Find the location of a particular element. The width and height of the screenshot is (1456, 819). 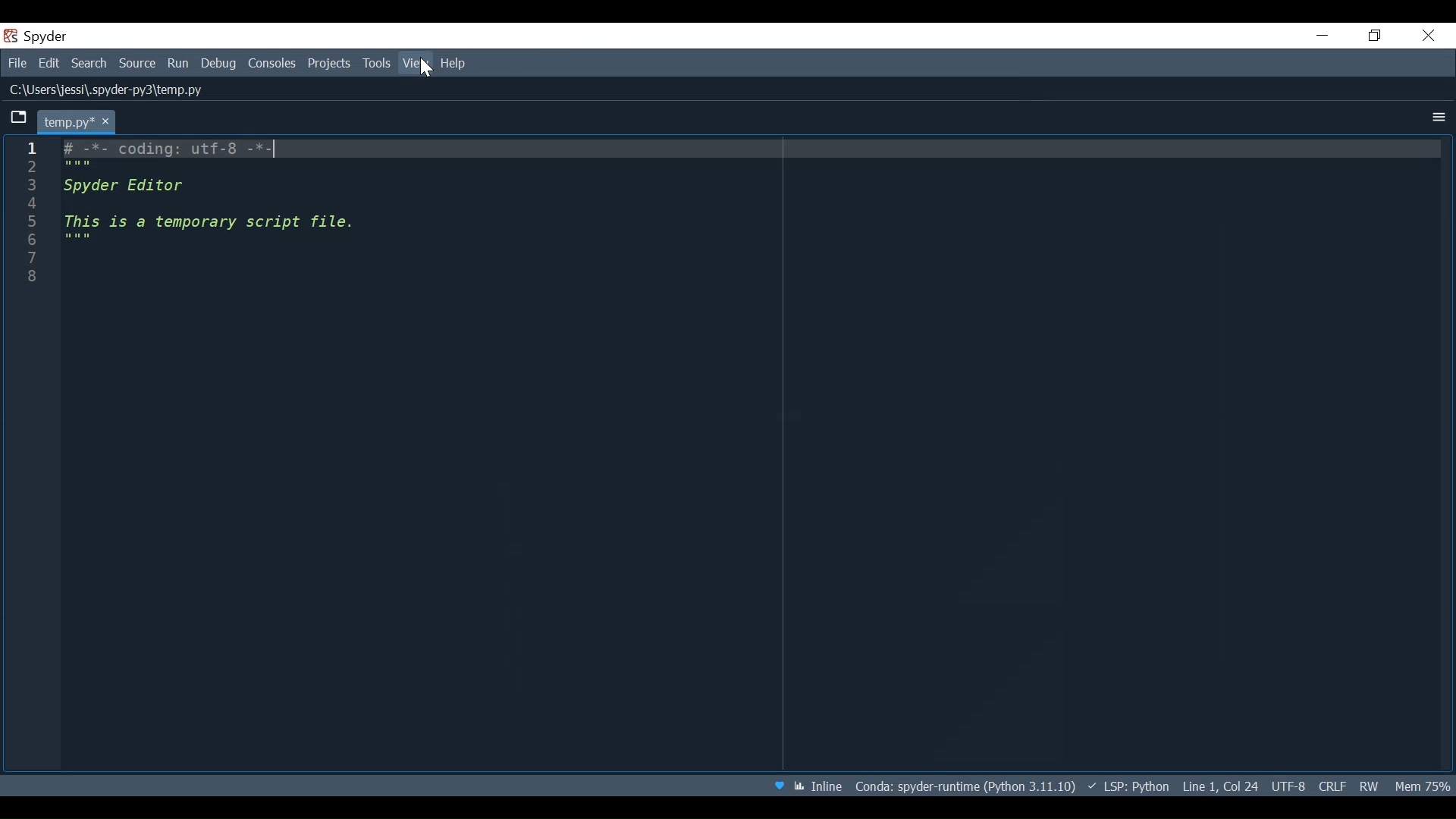

Browse tabs is located at coordinates (19, 118).